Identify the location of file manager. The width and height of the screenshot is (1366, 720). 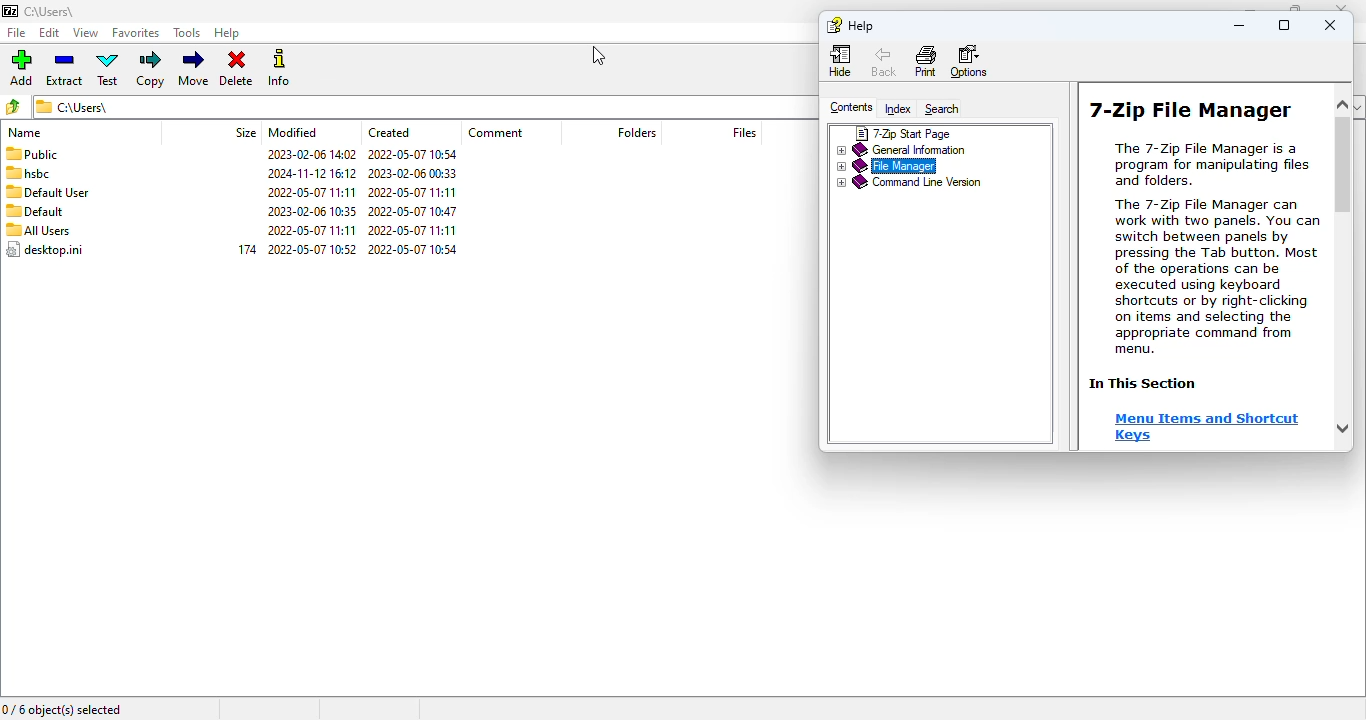
(887, 166).